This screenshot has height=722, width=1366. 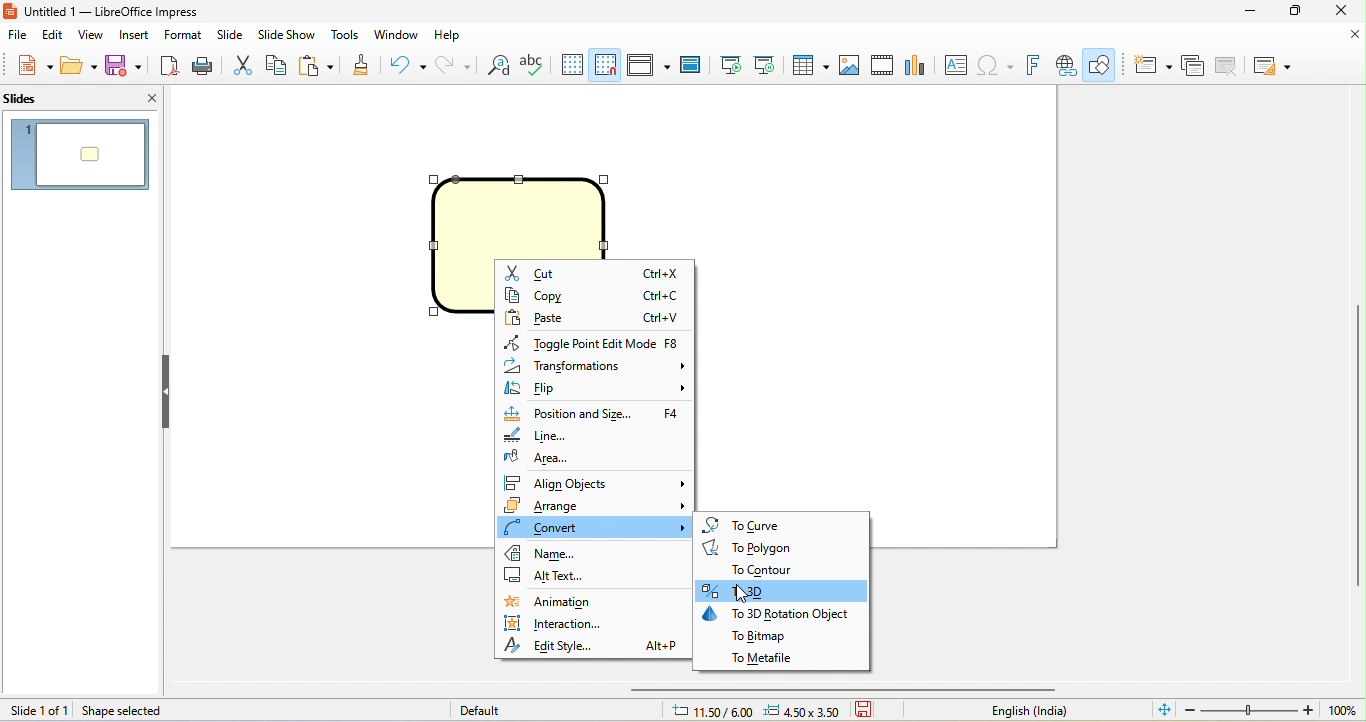 What do you see at coordinates (289, 34) in the screenshot?
I see `slide show` at bounding box center [289, 34].